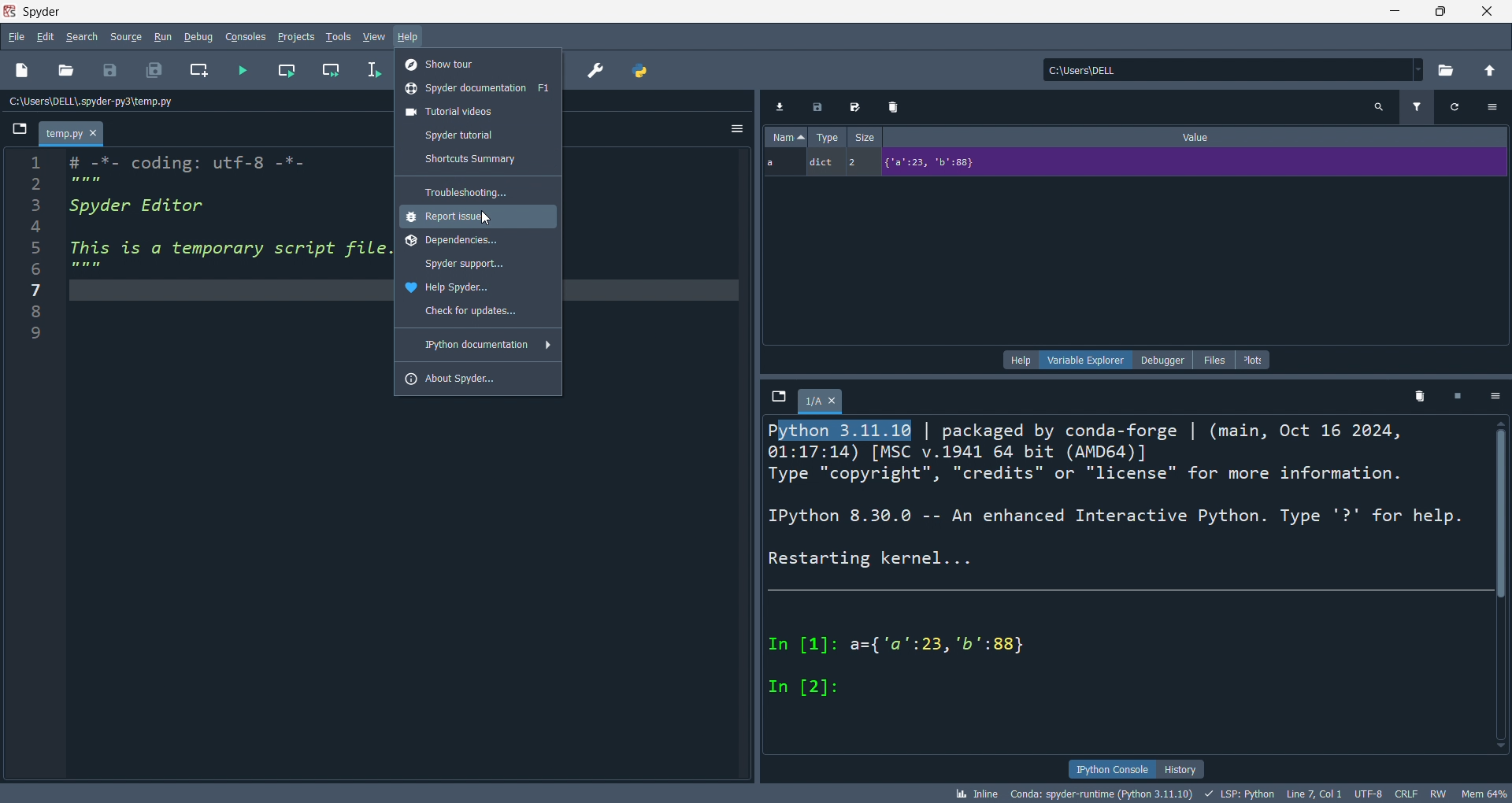 Image resolution: width=1512 pixels, height=803 pixels. Describe the element at coordinates (246, 73) in the screenshot. I see `run file` at that location.